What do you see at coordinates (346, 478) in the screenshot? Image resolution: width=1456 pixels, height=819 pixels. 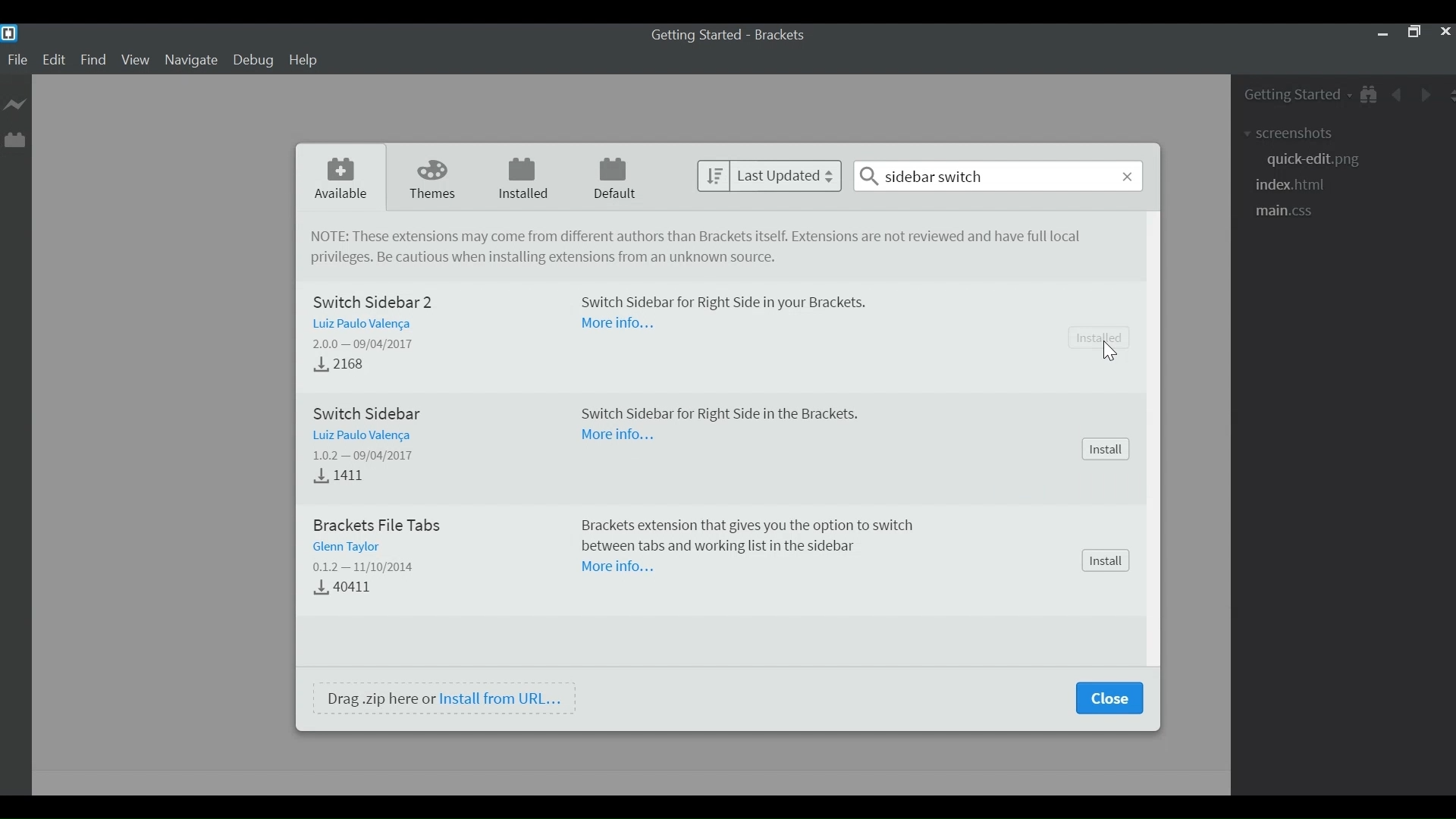 I see `4.1411` at bounding box center [346, 478].